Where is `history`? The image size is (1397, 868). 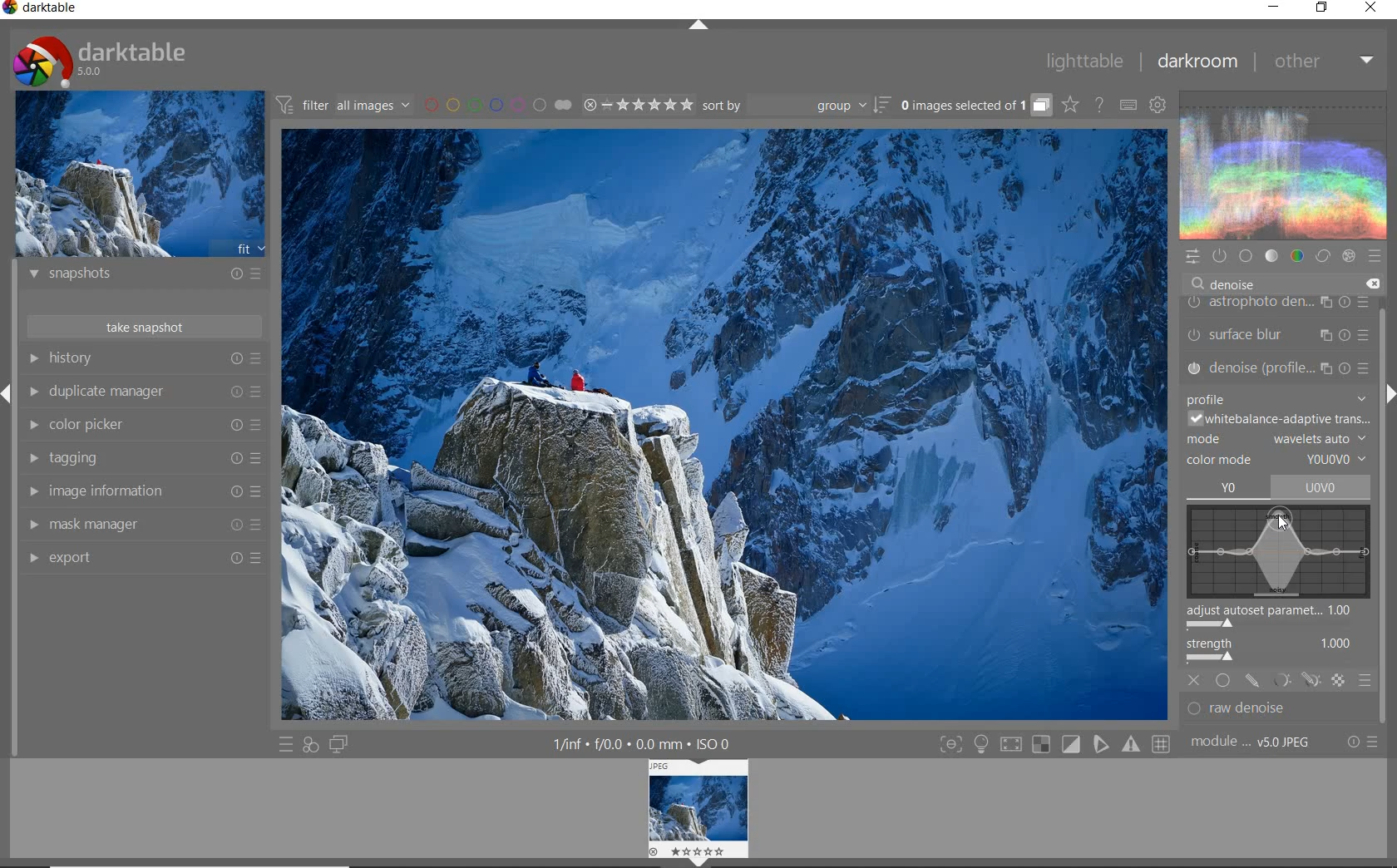 history is located at coordinates (144, 358).